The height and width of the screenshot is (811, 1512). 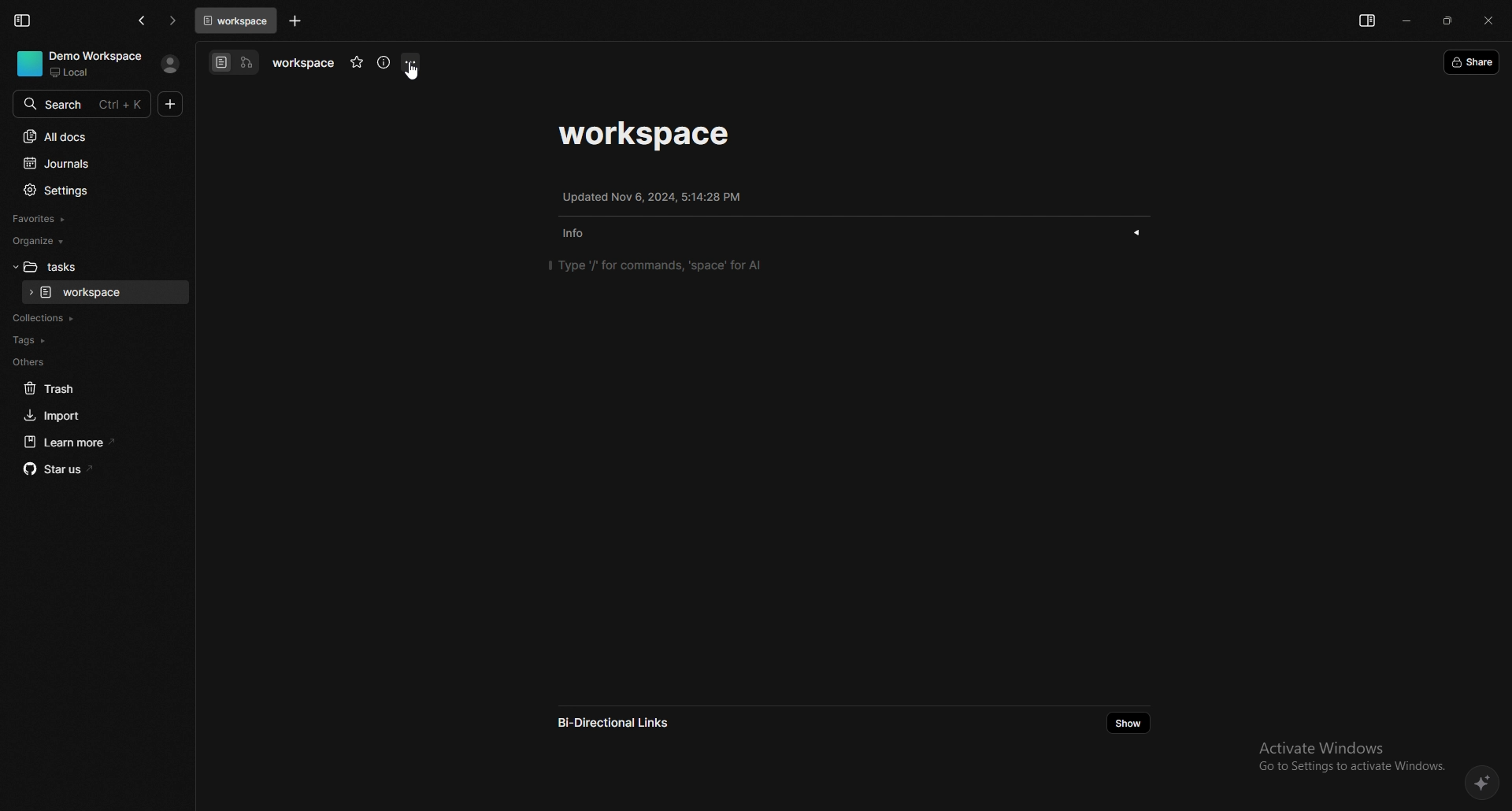 I want to click on Activate Windows
Go to Settings to activate Windows., so click(x=1347, y=755).